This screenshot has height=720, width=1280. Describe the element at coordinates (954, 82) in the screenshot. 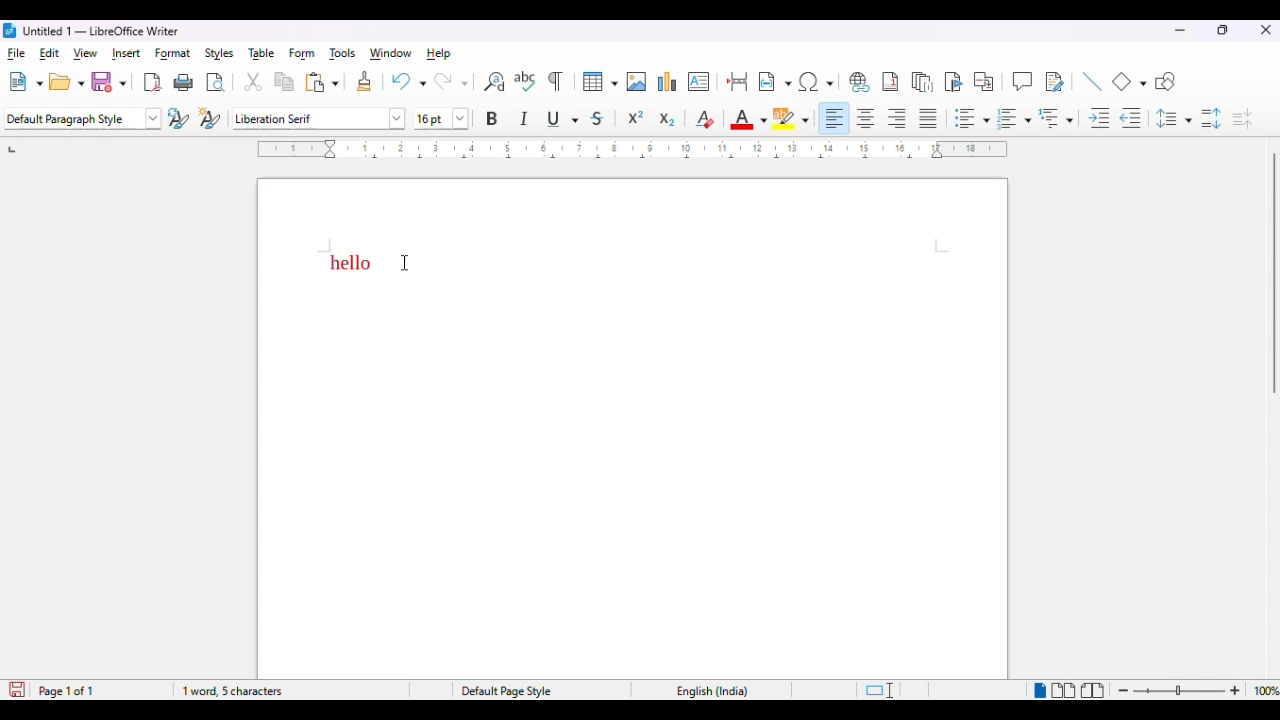

I see `insert bookmark` at that location.